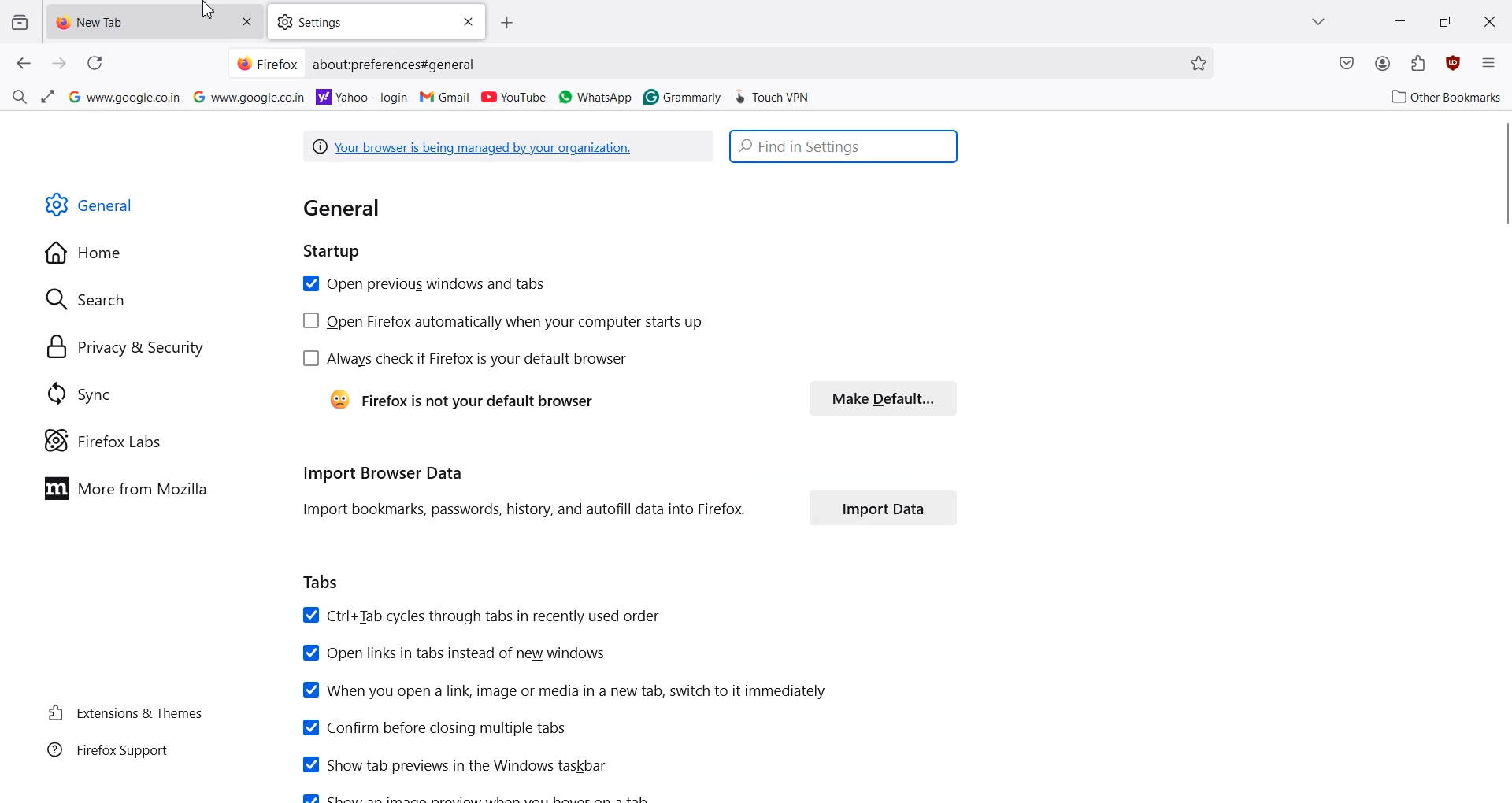 Image resolution: width=1512 pixels, height=803 pixels. What do you see at coordinates (267, 63) in the screenshot?
I see `Fire fox` at bounding box center [267, 63].